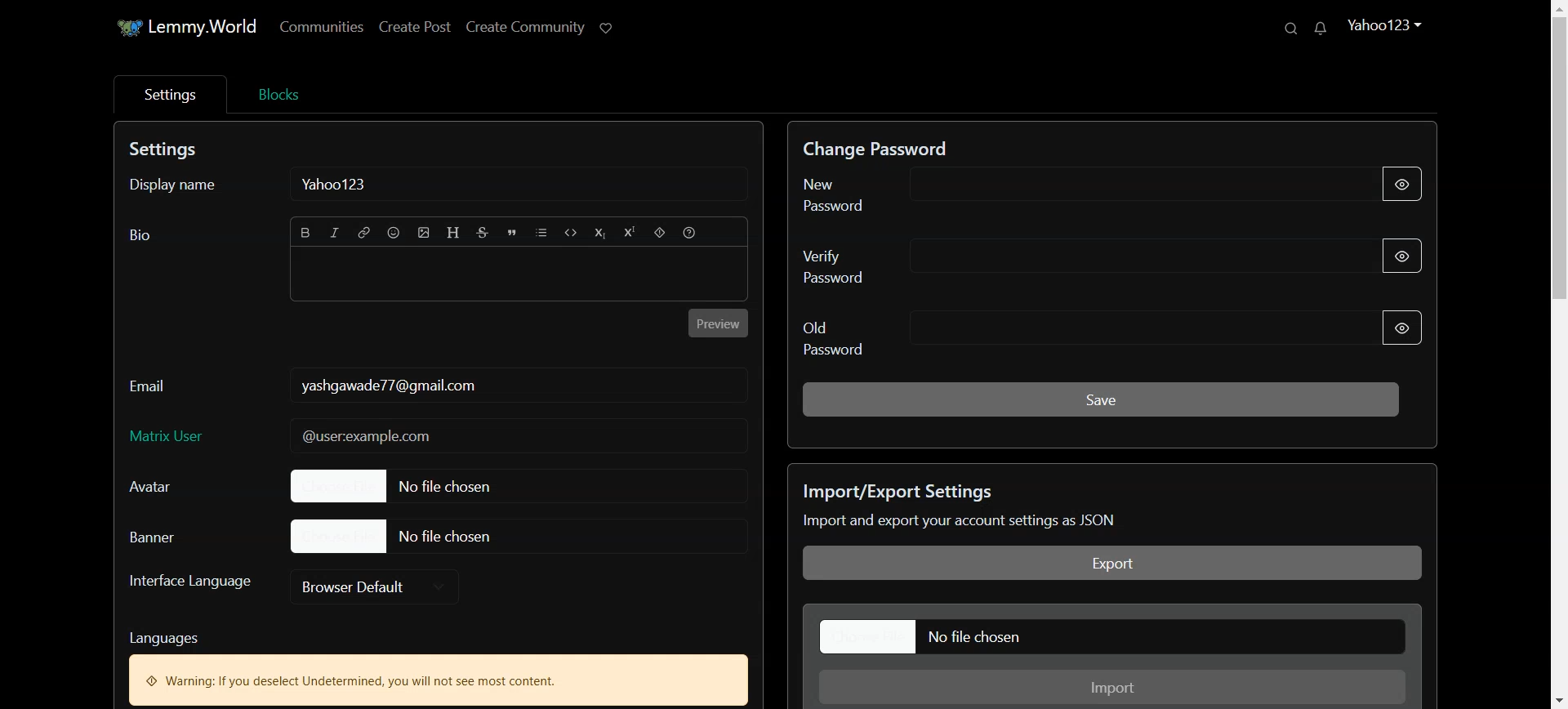 Image resolution: width=1568 pixels, height=709 pixels. What do you see at coordinates (1089, 506) in the screenshot?
I see `Text` at bounding box center [1089, 506].